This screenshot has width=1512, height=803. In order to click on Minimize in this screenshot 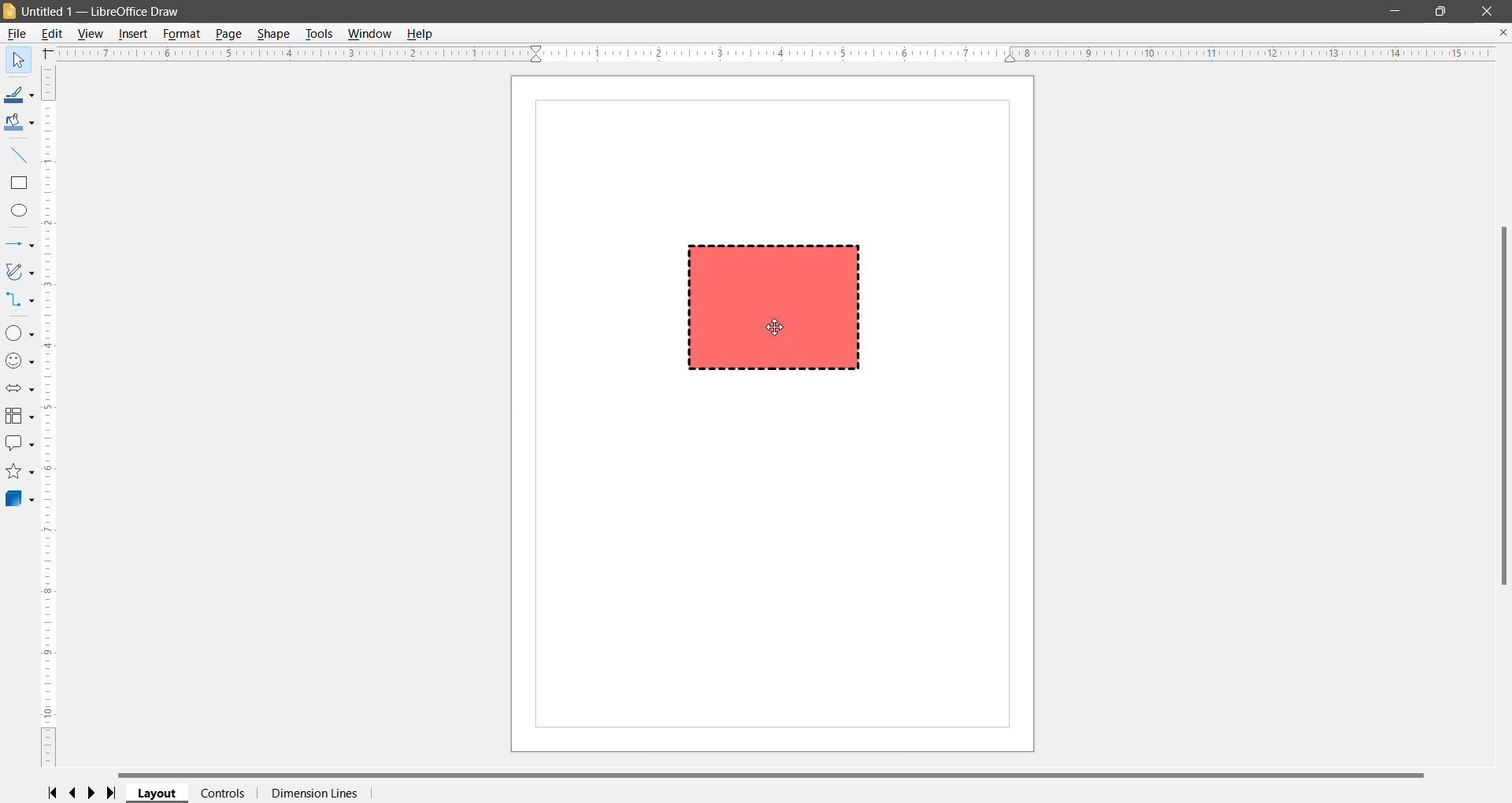, I will do `click(1395, 10)`.